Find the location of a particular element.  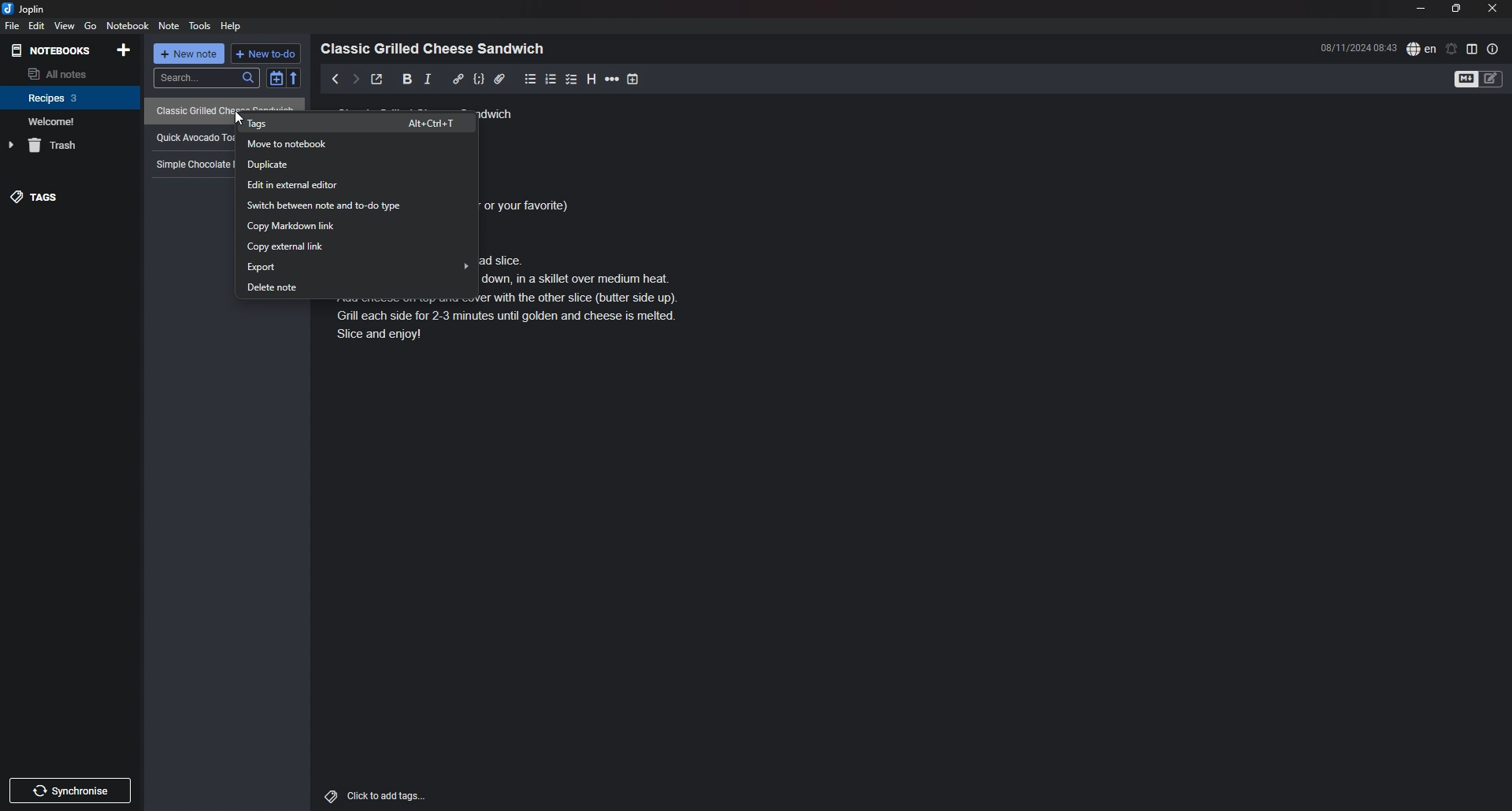

time is located at coordinates (1358, 47).